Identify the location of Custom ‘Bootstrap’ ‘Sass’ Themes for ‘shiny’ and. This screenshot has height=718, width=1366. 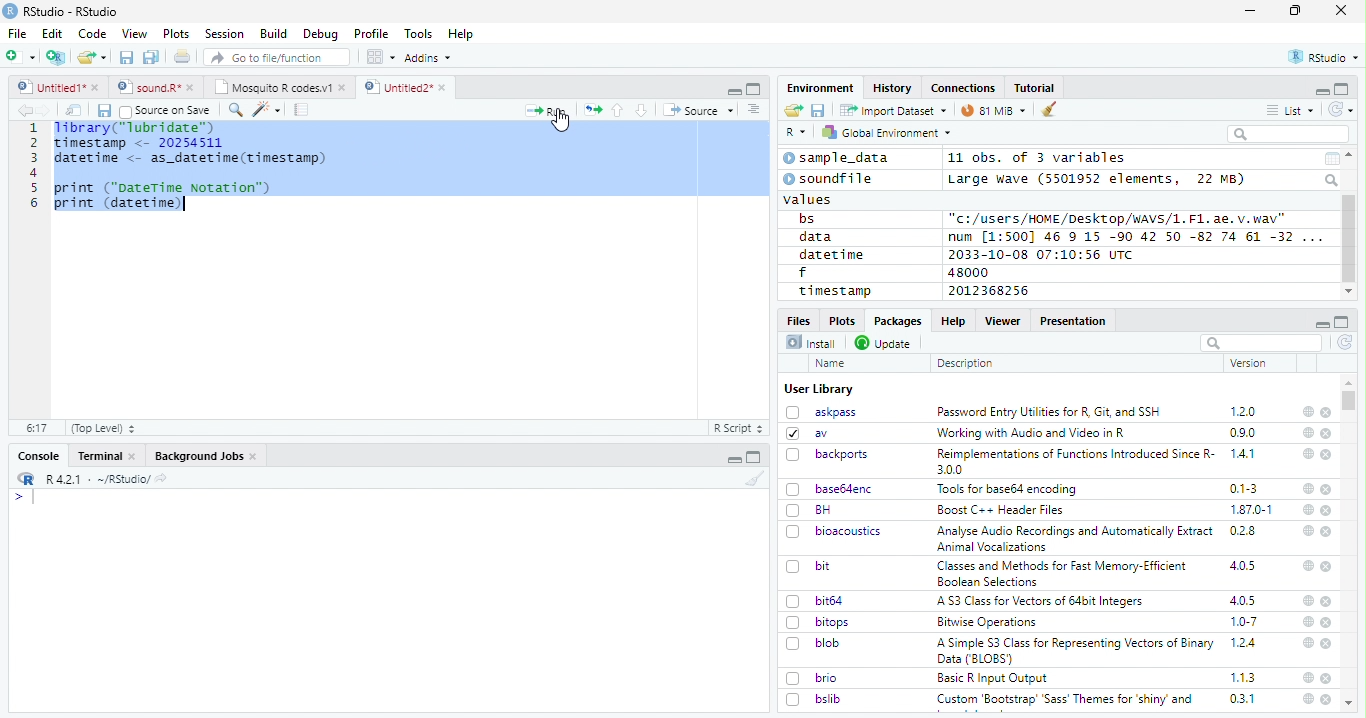
(1065, 702).